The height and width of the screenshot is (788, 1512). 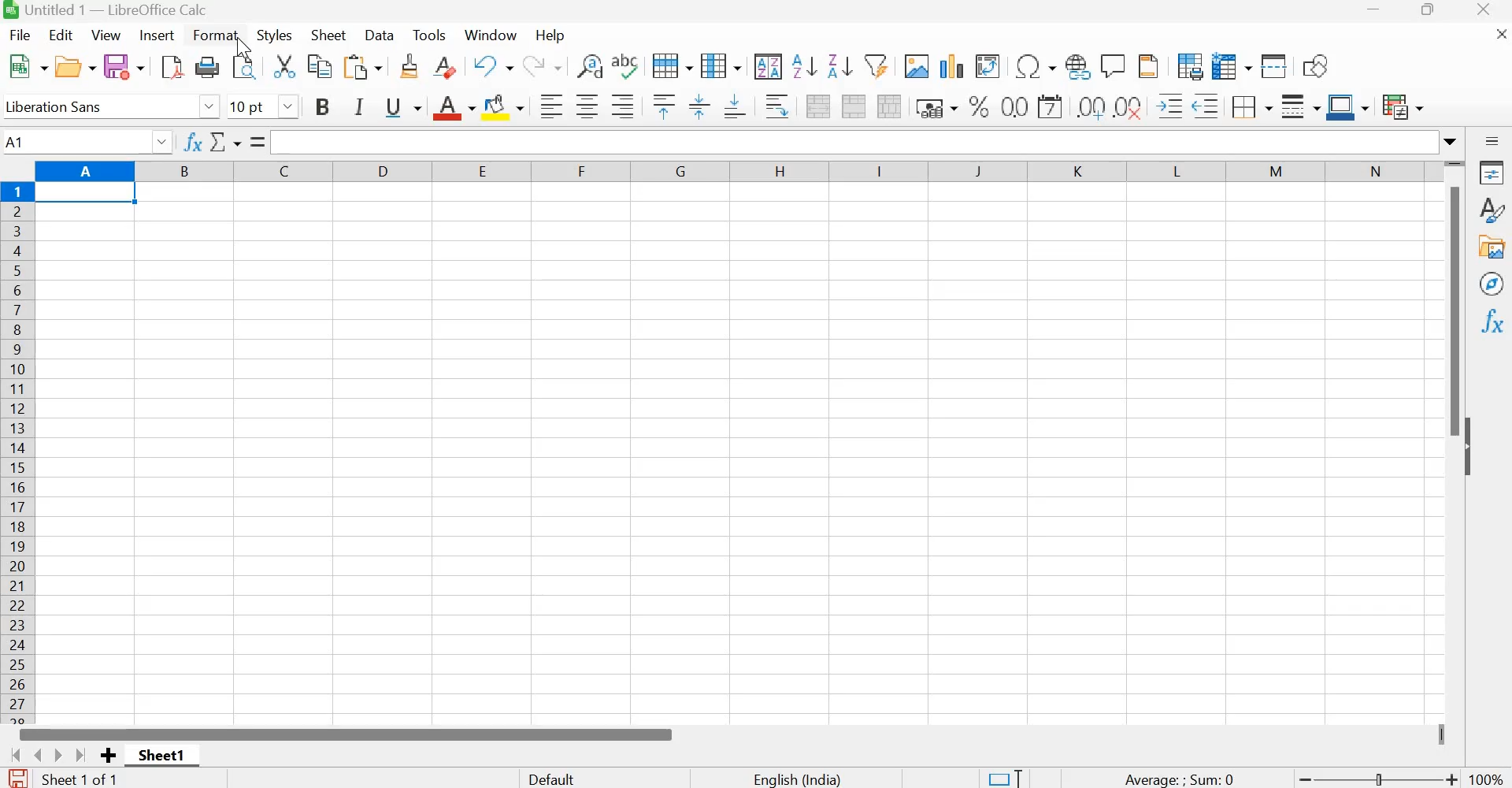 What do you see at coordinates (1492, 210) in the screenshot?
I see `Styles` at bounding box center [1492, 210].